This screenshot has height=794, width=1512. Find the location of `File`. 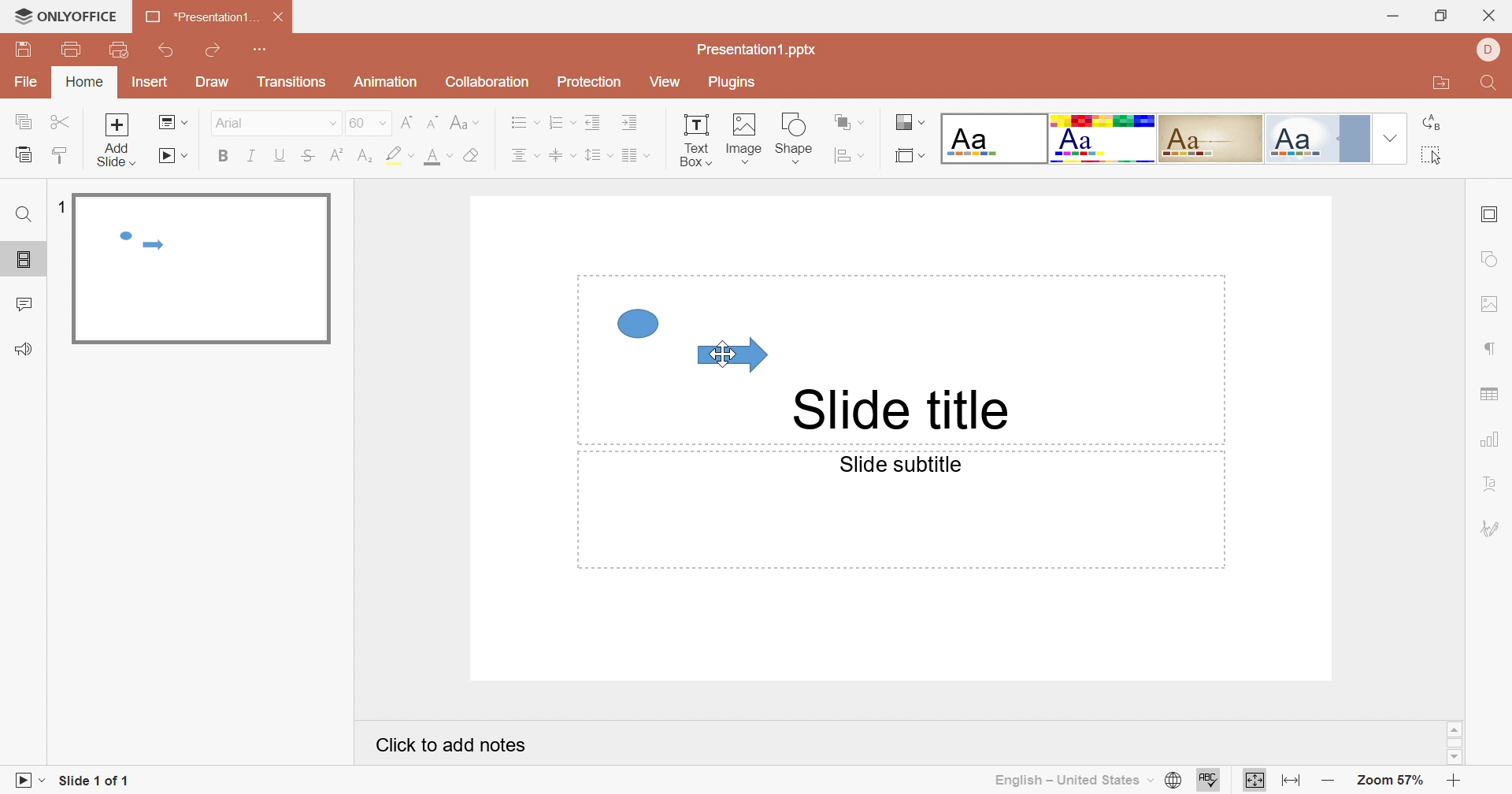

File is located at coordinates (25, 81).